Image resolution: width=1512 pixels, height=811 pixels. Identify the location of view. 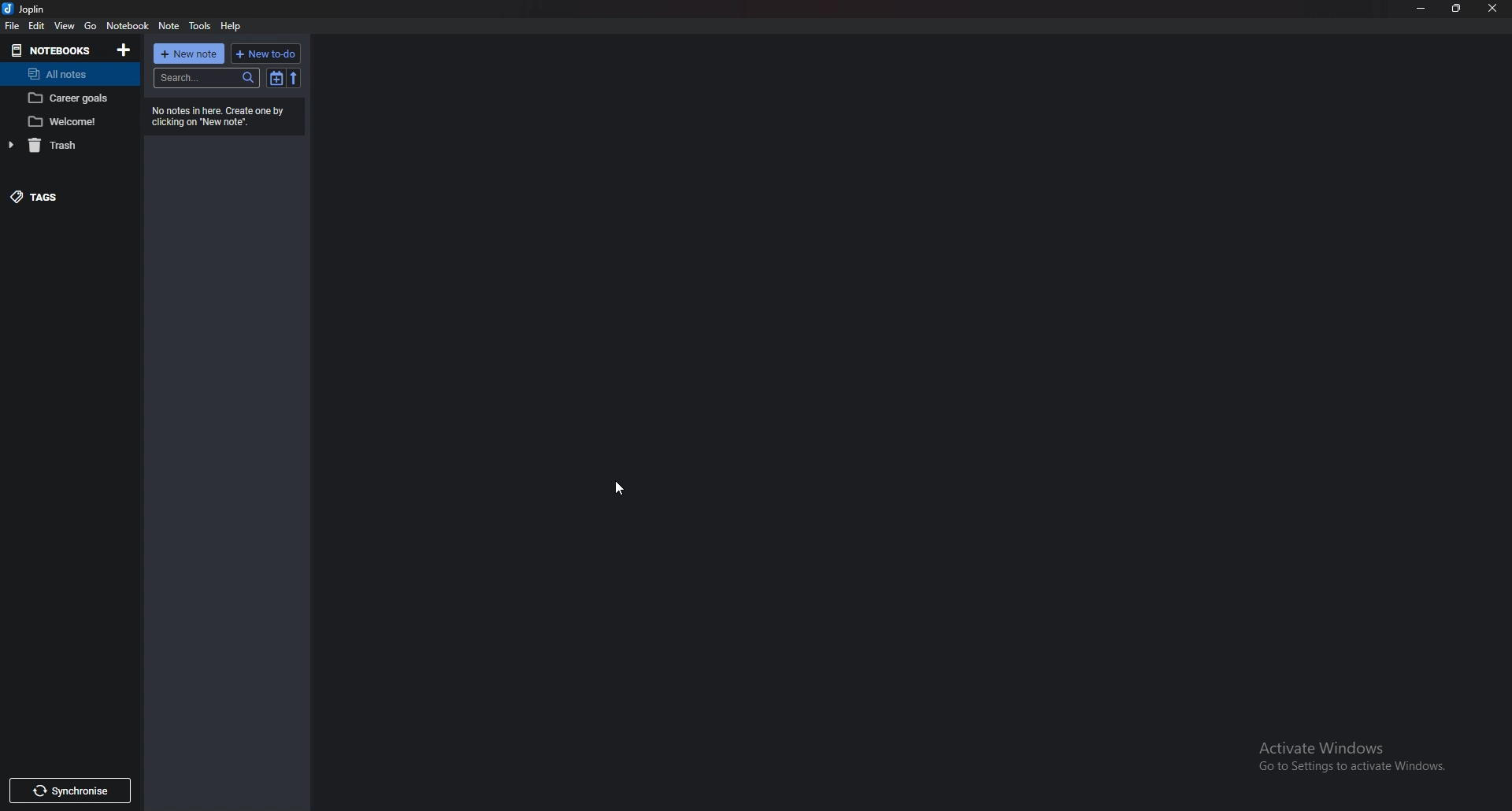
(65, 26).